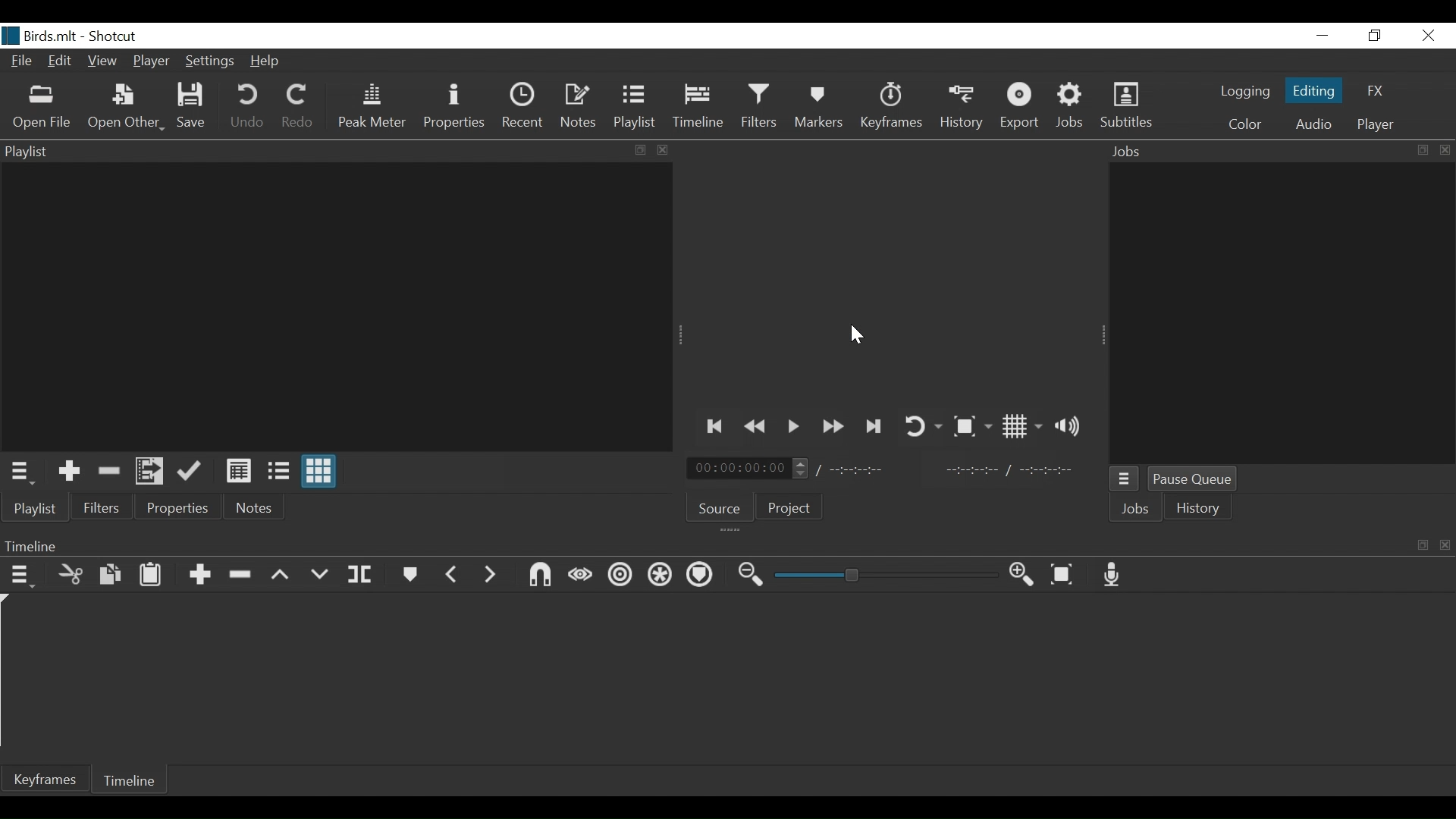 The image size is (1456, 819). I want to click on FX, so click(1376, 92).